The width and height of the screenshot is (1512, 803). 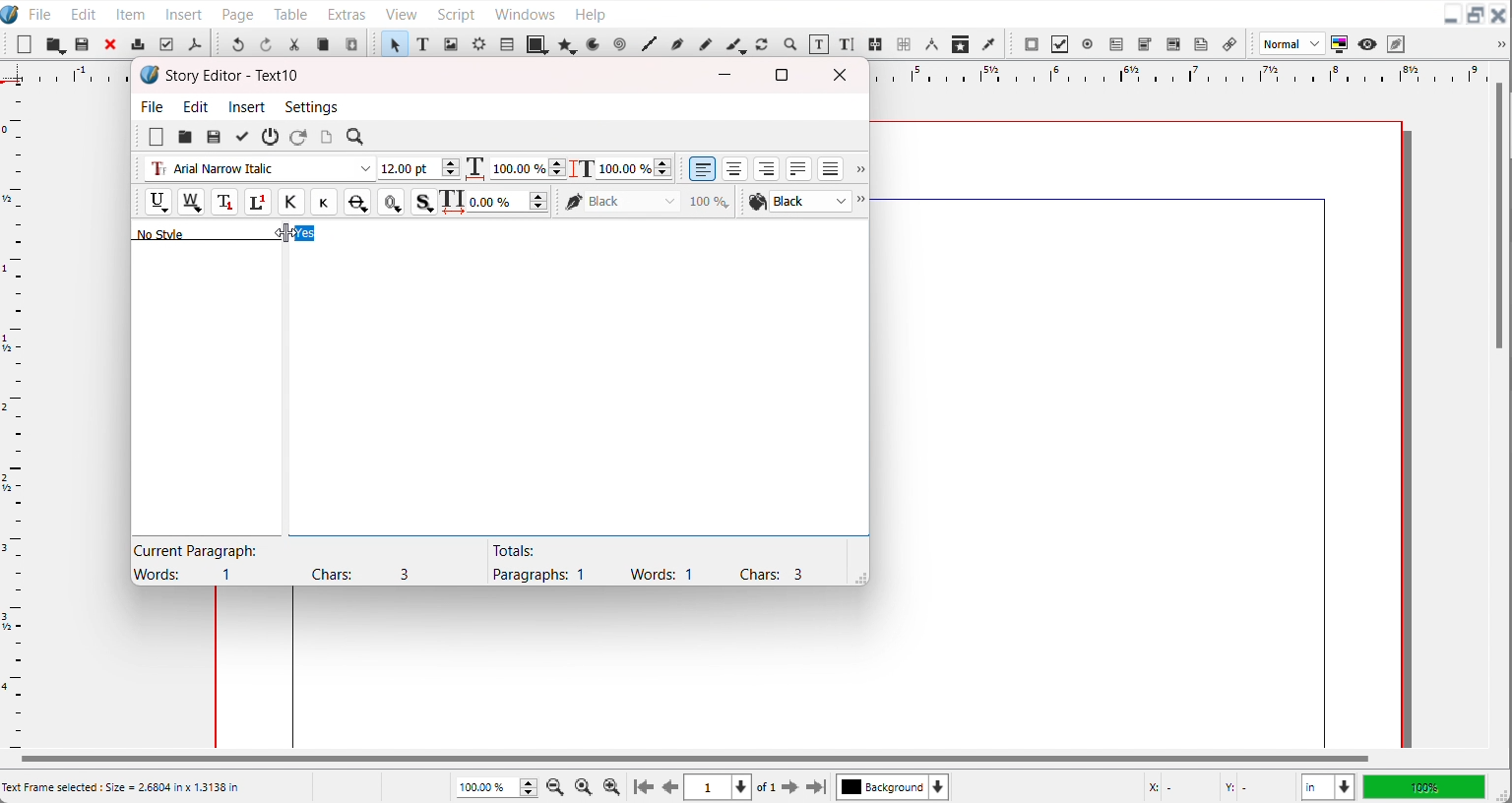 I want to click on Extras, so click(x=346, y=12).